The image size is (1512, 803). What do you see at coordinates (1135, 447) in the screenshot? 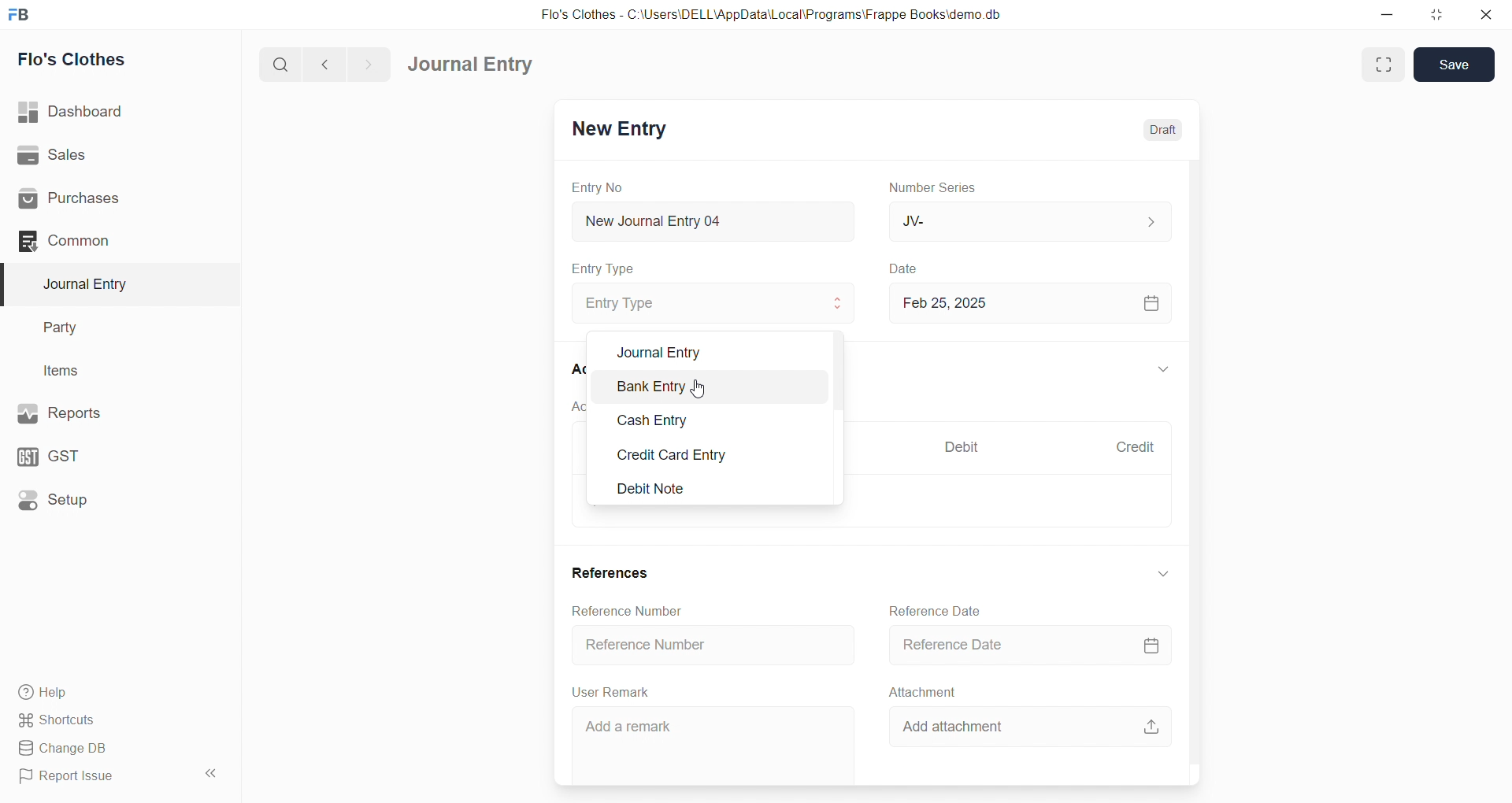
I see `Credit` at bounding box center [1135, 447].